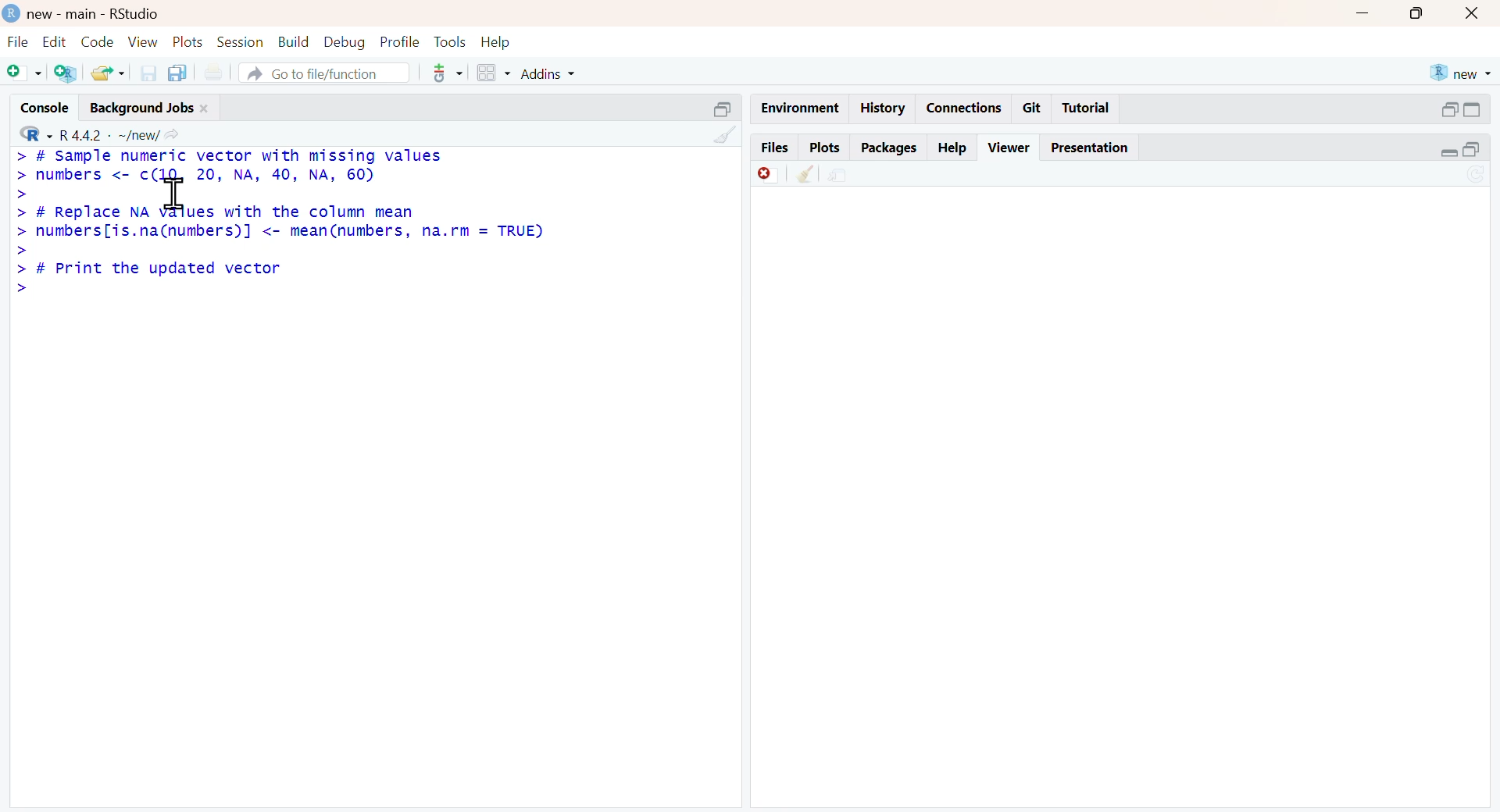 The width and height of the screenshot is (1500, 812). Describe the element at coordinates (1418, 13) in the screenshot. I see `maximise` at that location.